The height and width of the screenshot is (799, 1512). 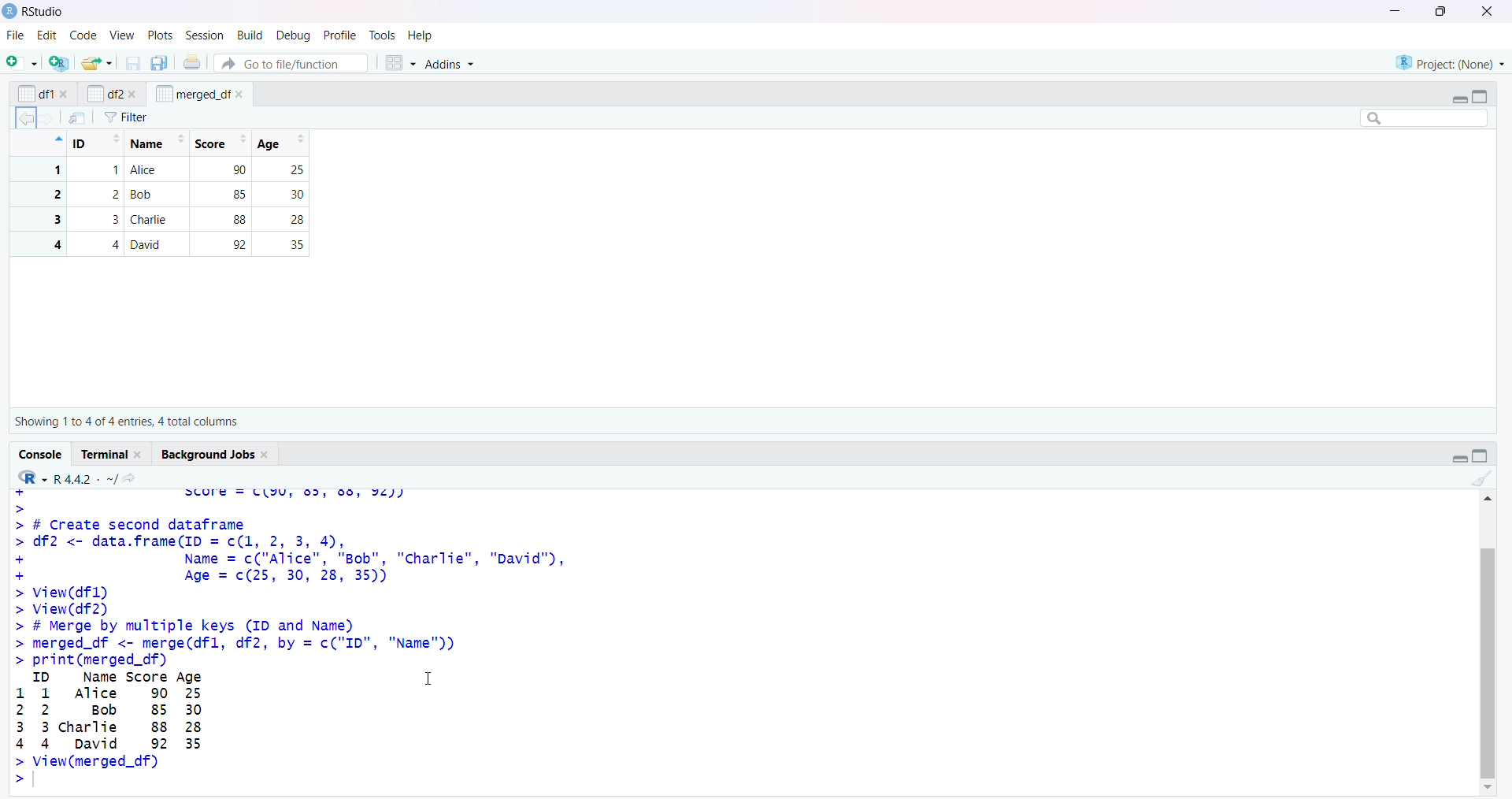 What do you see at coordinates (47, 35) in the screenshot?
I see `edit` at bounding box center [47, 35].